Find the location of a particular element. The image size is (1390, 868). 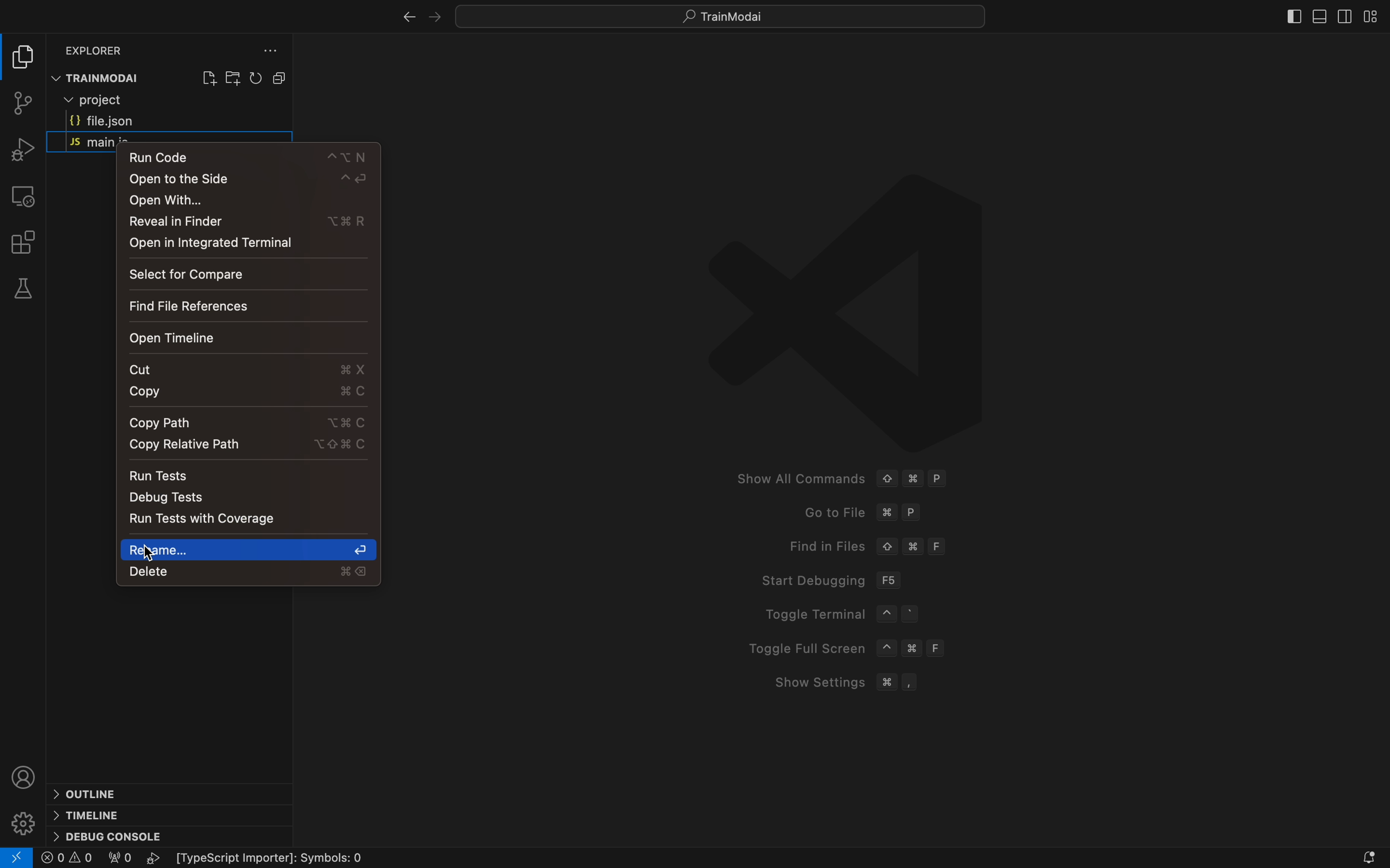

file explore is located at coordinates (25, 57).